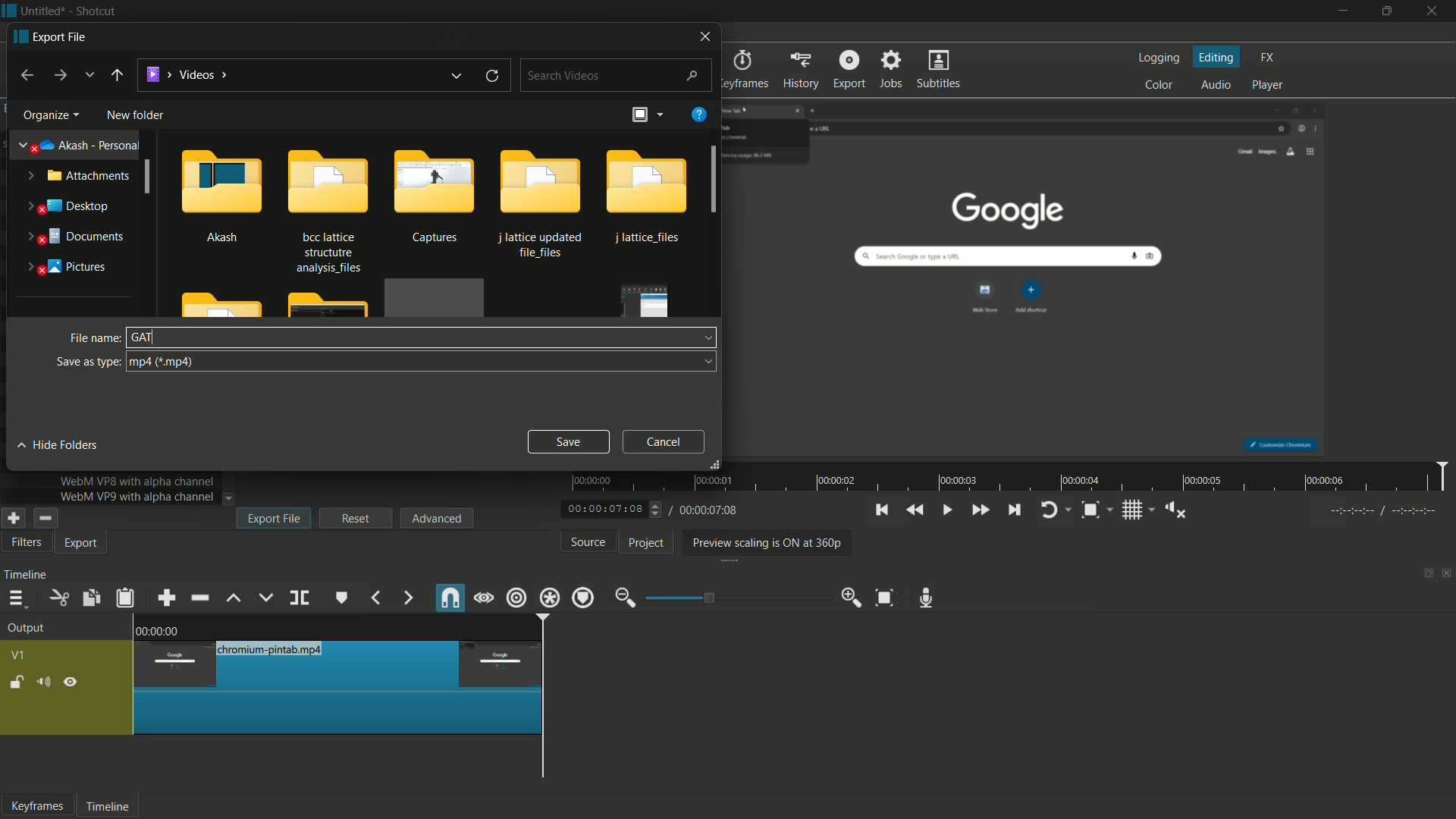 This screenshot has height=819, width=1456. I want to click on desktop, so click(67, 206).